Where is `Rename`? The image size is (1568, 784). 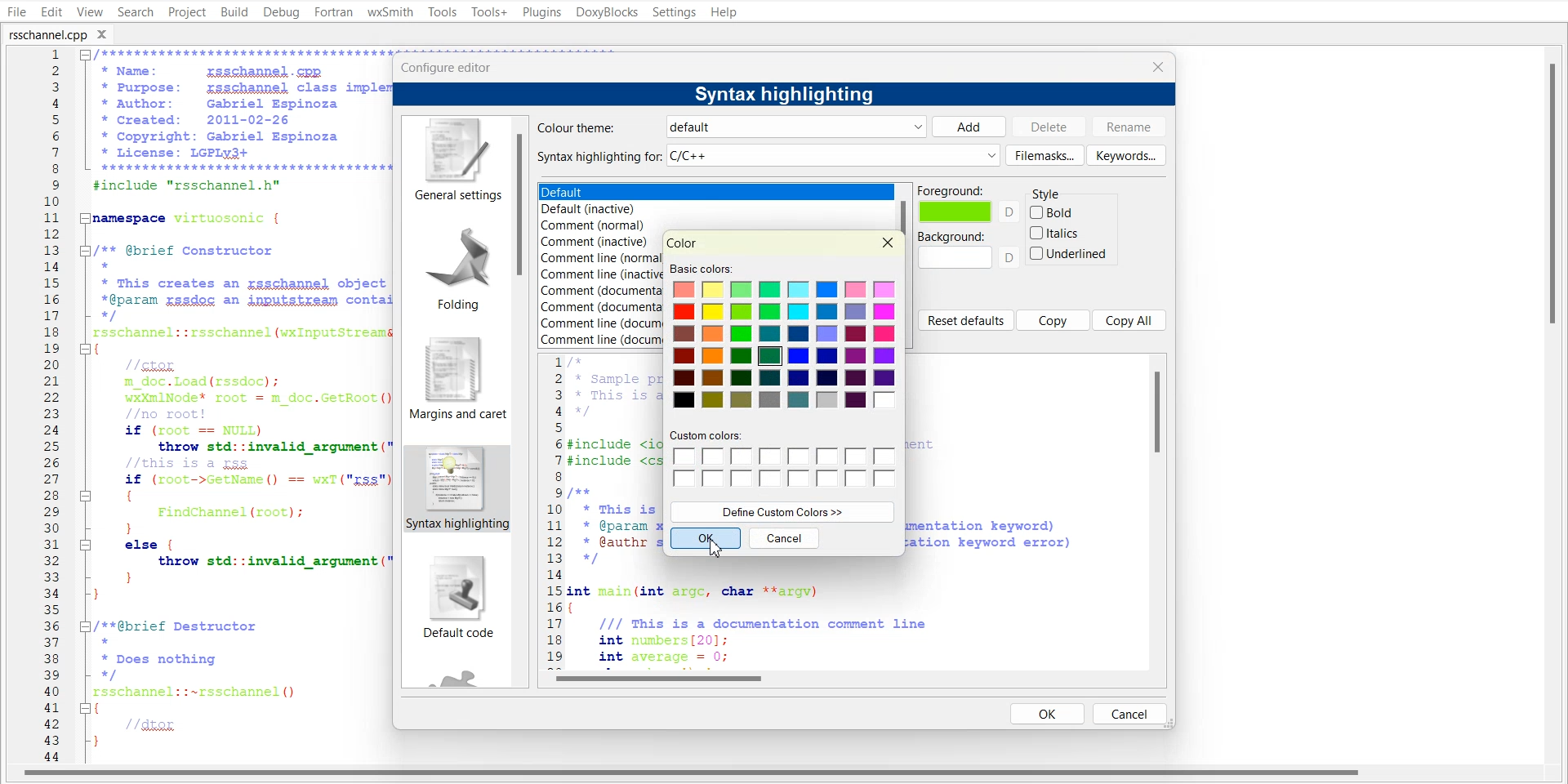
Rename is located at coordinates (1129, 127).